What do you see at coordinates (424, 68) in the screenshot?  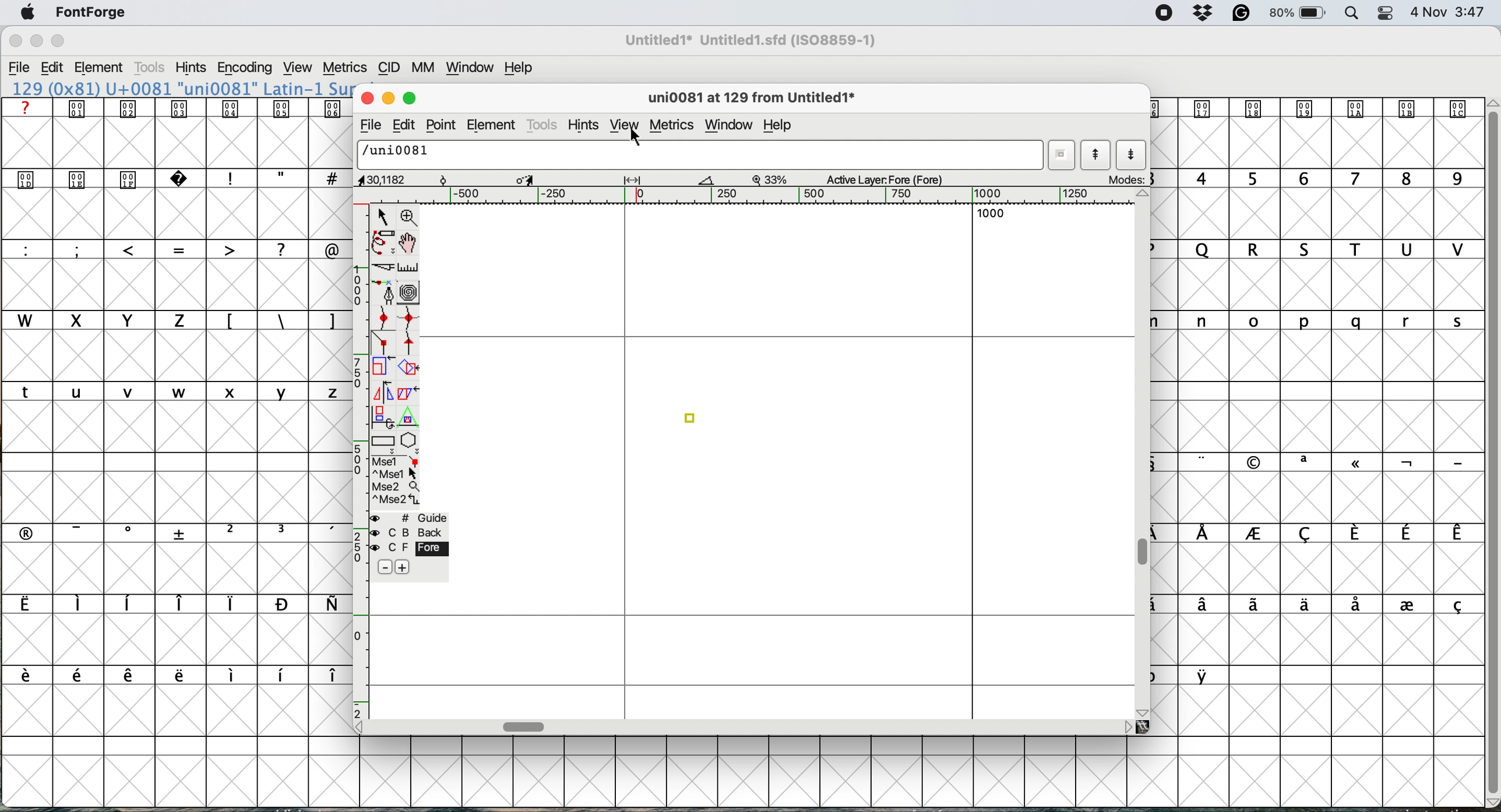 I see `MM` at bounding box center [424, 68].